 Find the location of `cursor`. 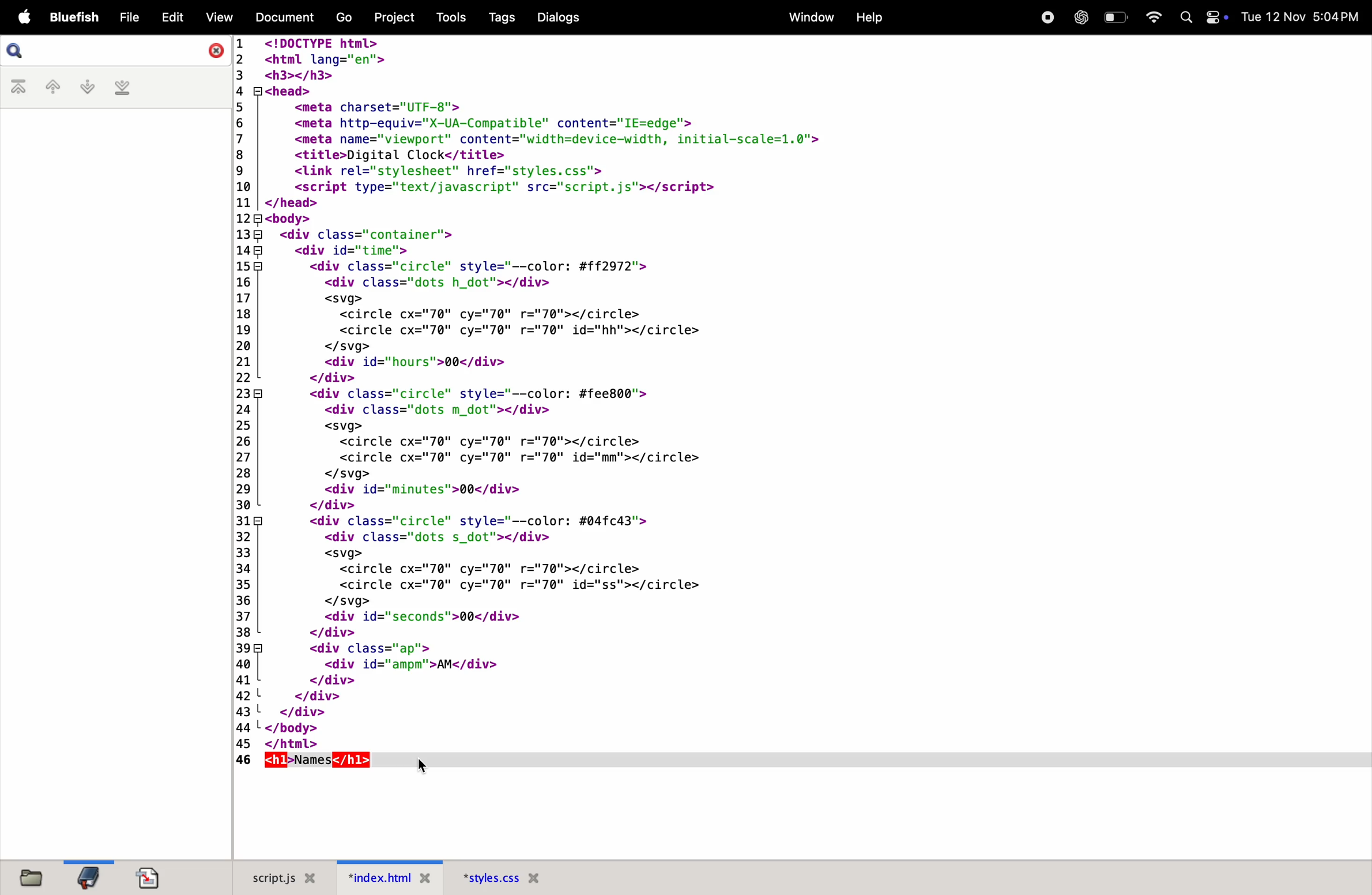

cursor is located at coordinates (422, 765).